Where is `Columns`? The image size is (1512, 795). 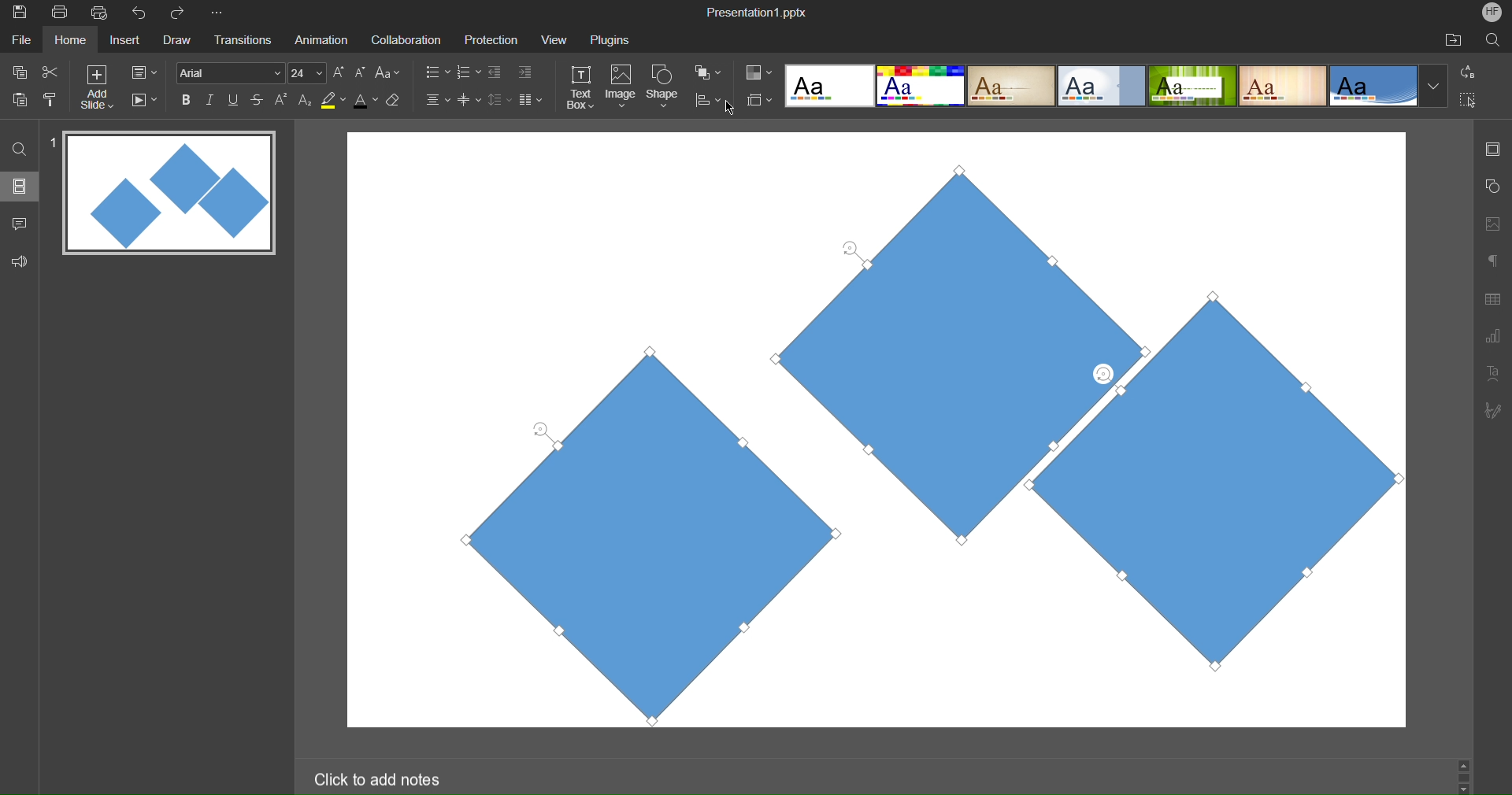
Columns is located at coordinates (532, 99).